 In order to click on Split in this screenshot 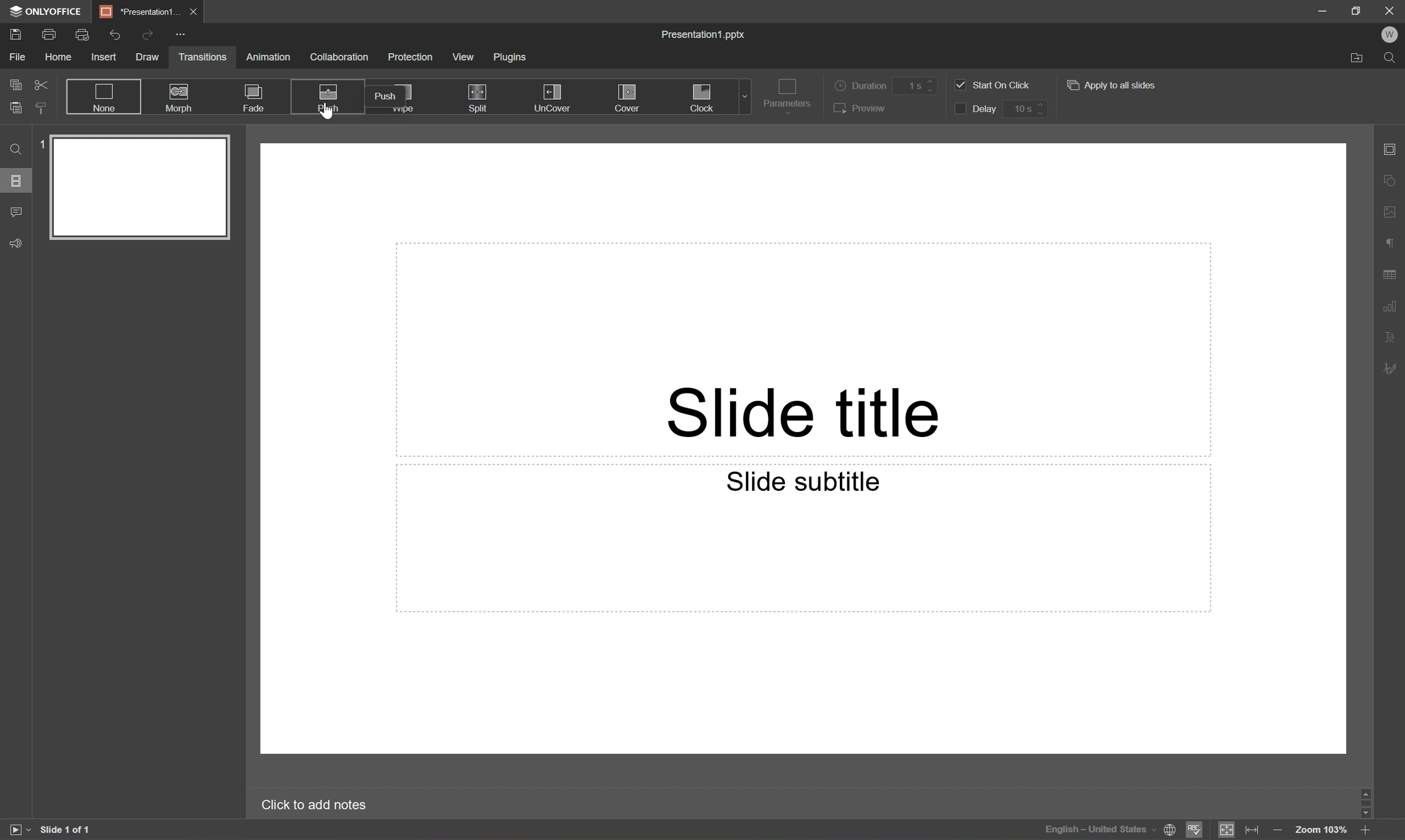, I will do `click(479, 94)`.